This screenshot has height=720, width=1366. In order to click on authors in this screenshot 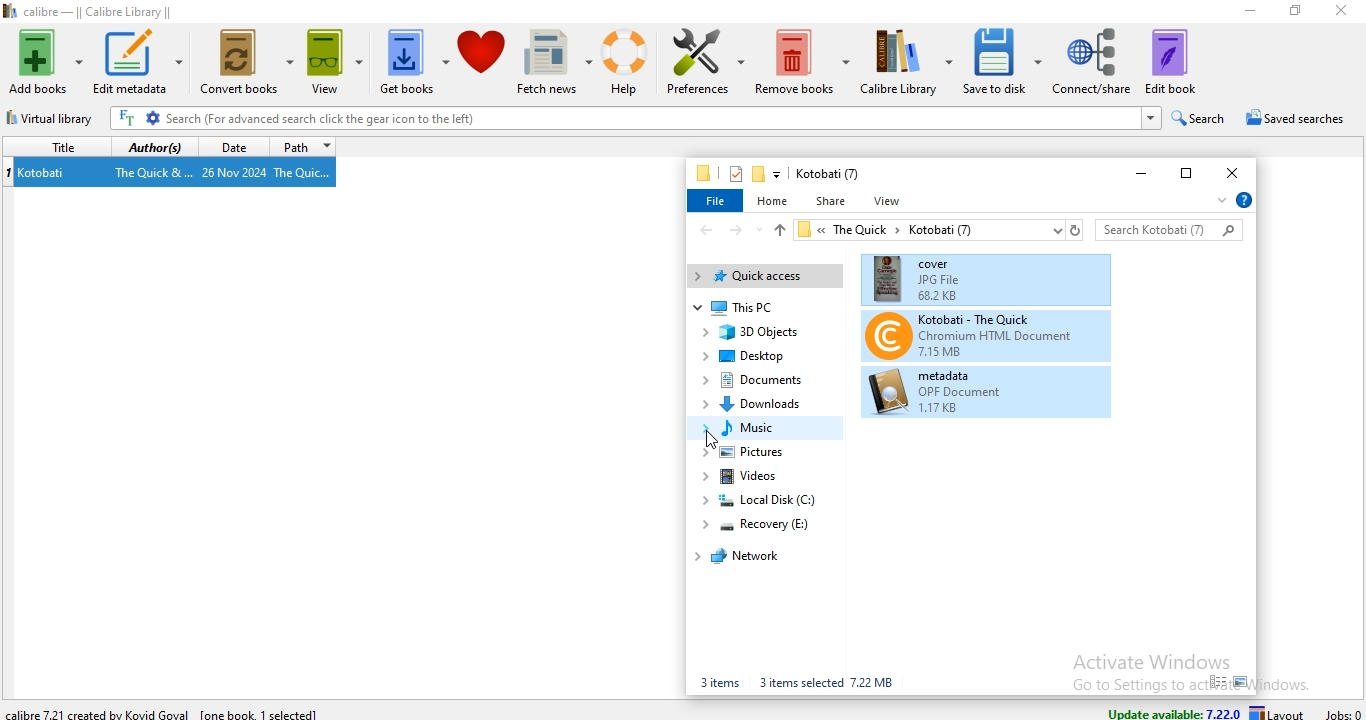, I will do `click(154, 147)`.